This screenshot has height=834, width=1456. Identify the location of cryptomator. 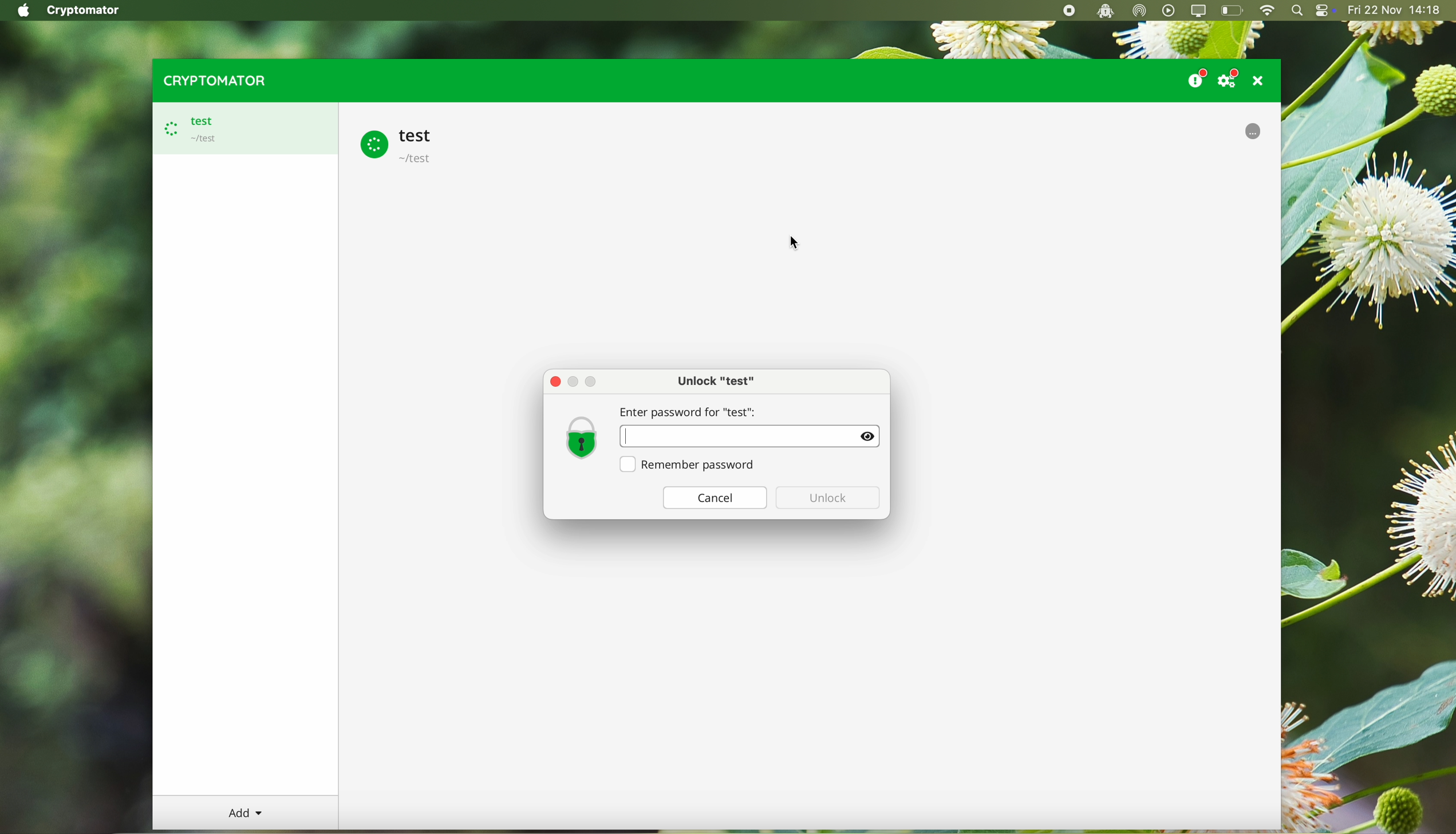
(212, 80).